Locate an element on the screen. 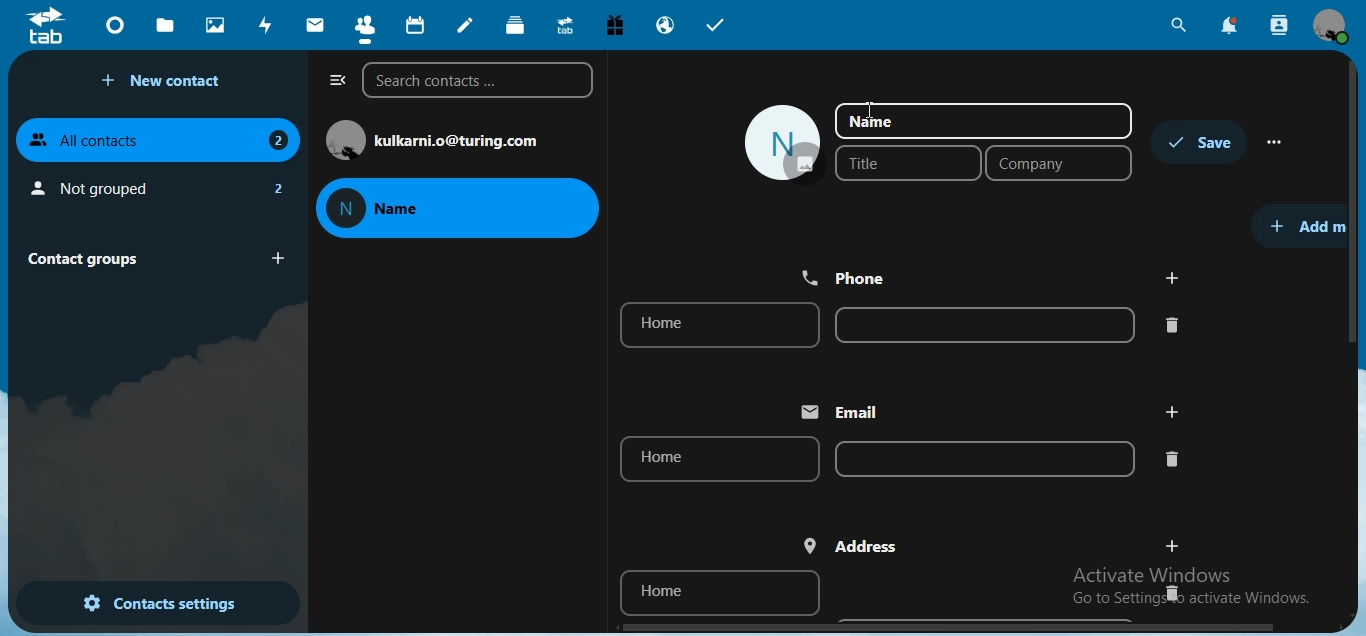 Image resolution: width=1366 pixels, height=636 pixels. notes is located at coordinates (467, 25).